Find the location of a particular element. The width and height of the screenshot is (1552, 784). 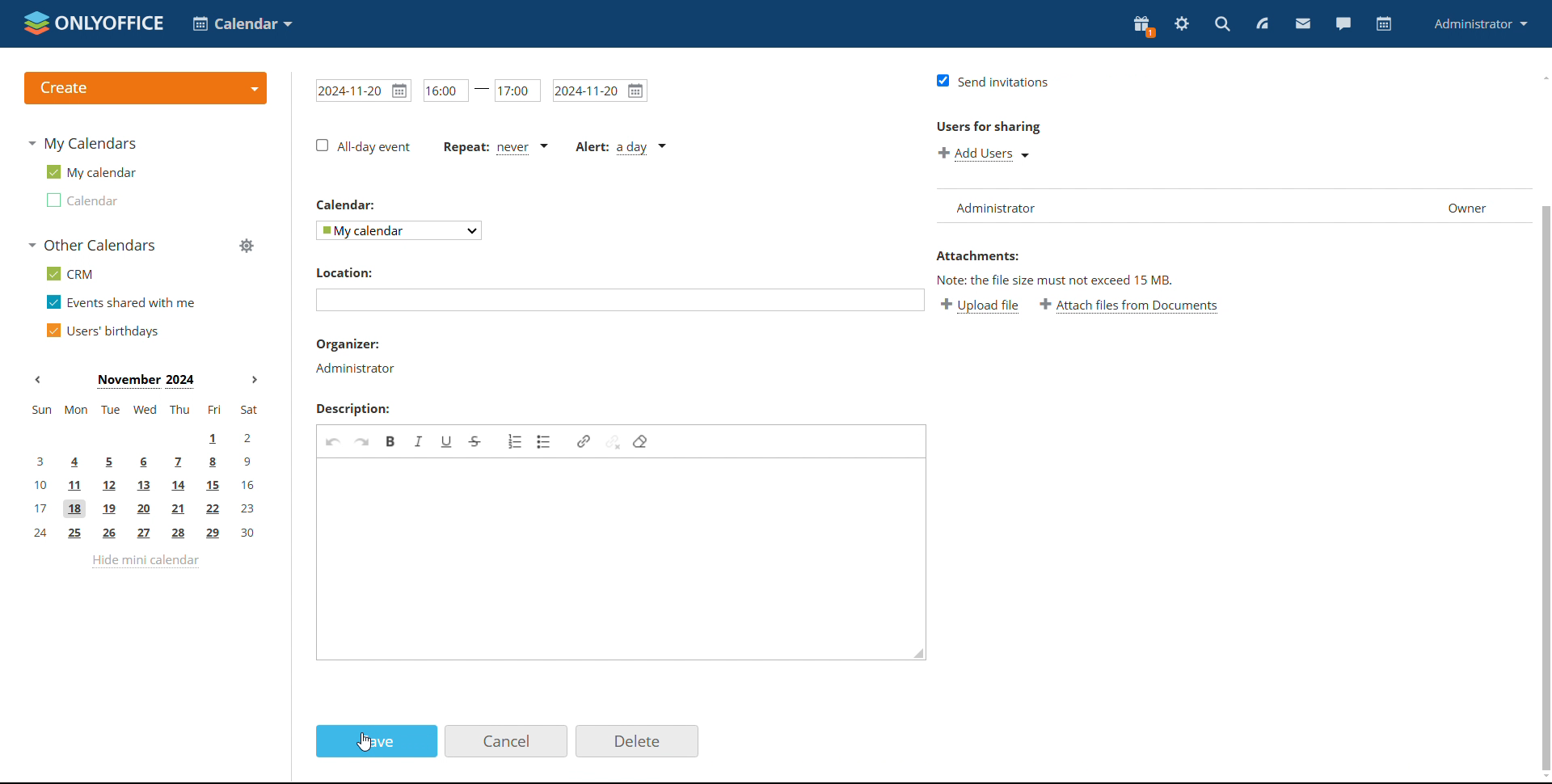

mini calendar is located at coordinates (145, 472).